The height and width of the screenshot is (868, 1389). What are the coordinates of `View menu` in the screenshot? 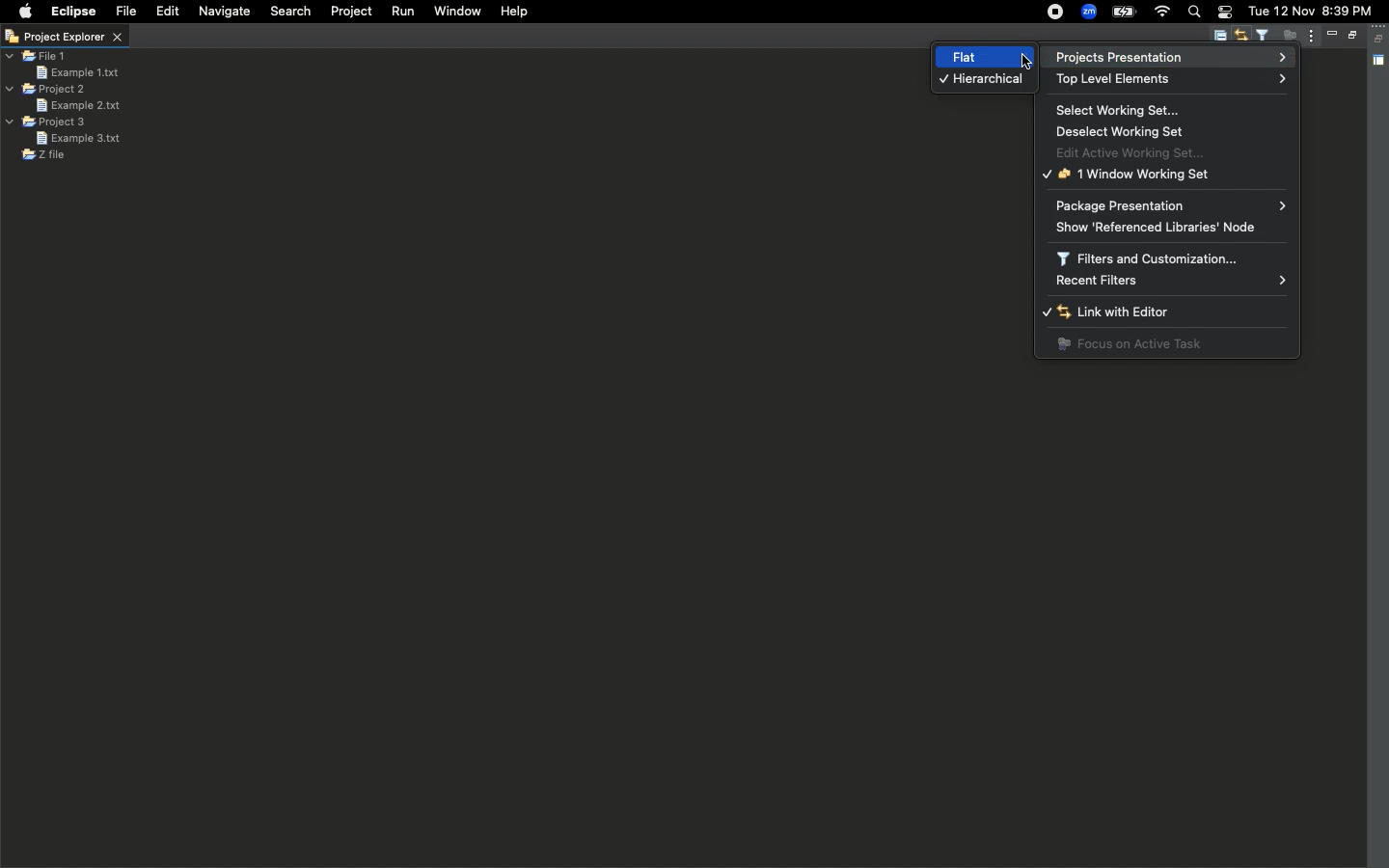 It's located at (1309, 37).